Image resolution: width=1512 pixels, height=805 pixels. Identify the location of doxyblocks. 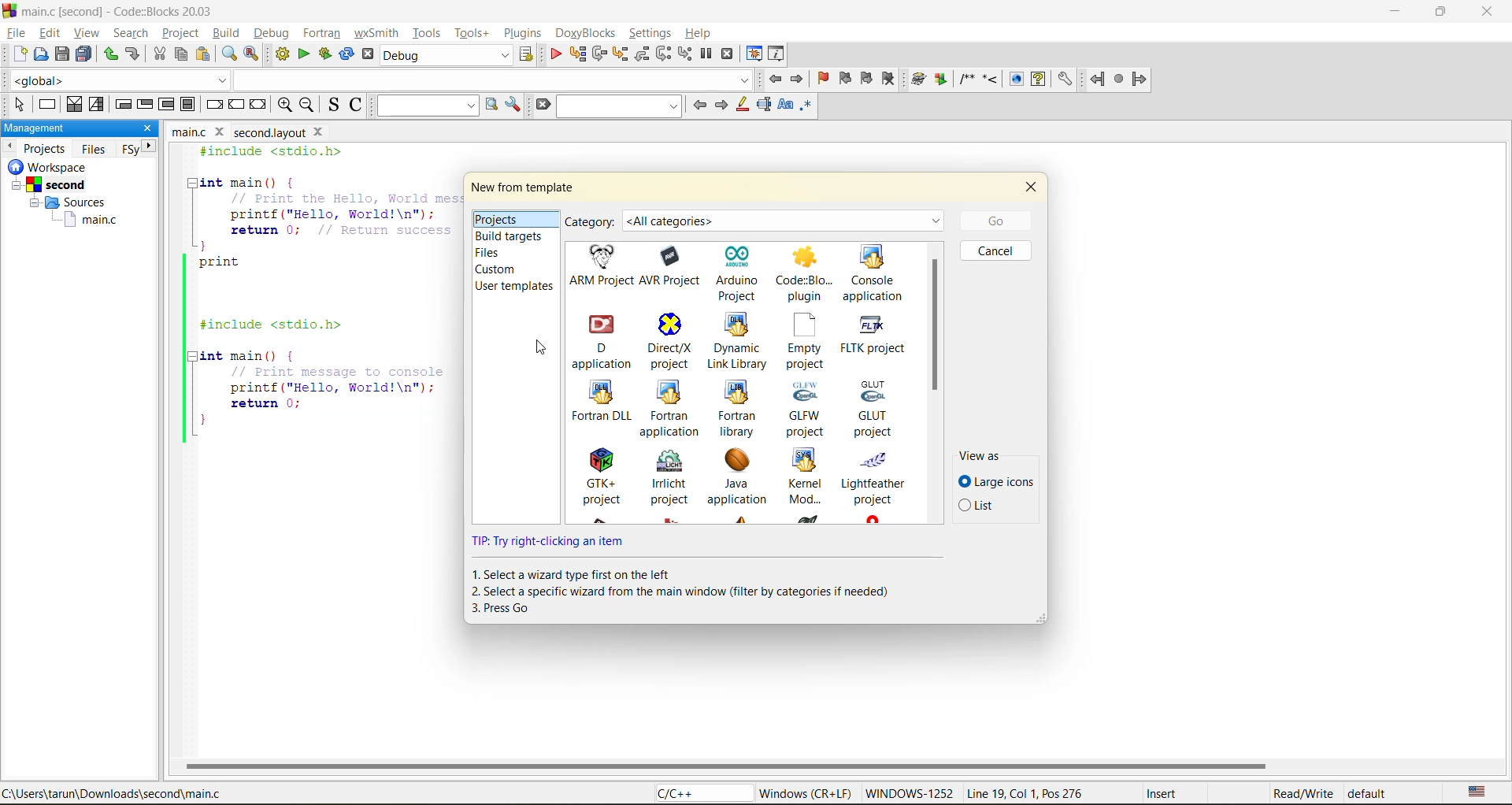
(589, 32).